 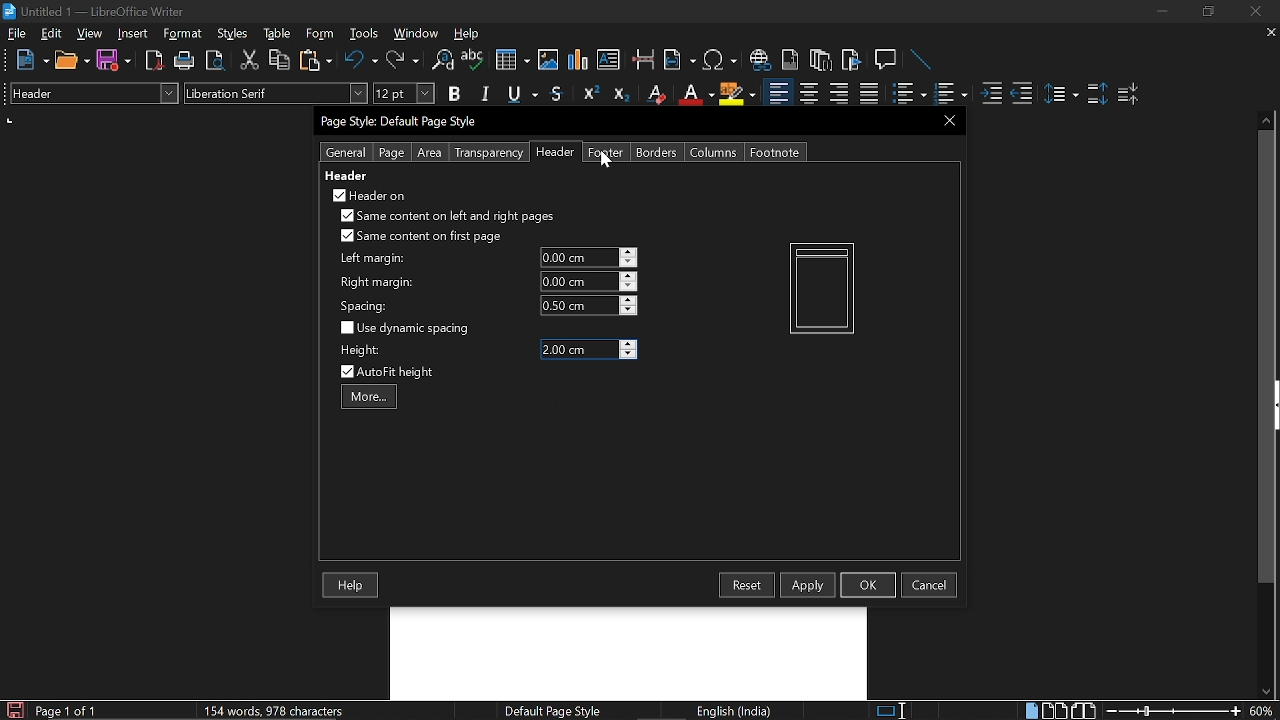 I want to click on Standard seleciton, so click(x=895, y=711).